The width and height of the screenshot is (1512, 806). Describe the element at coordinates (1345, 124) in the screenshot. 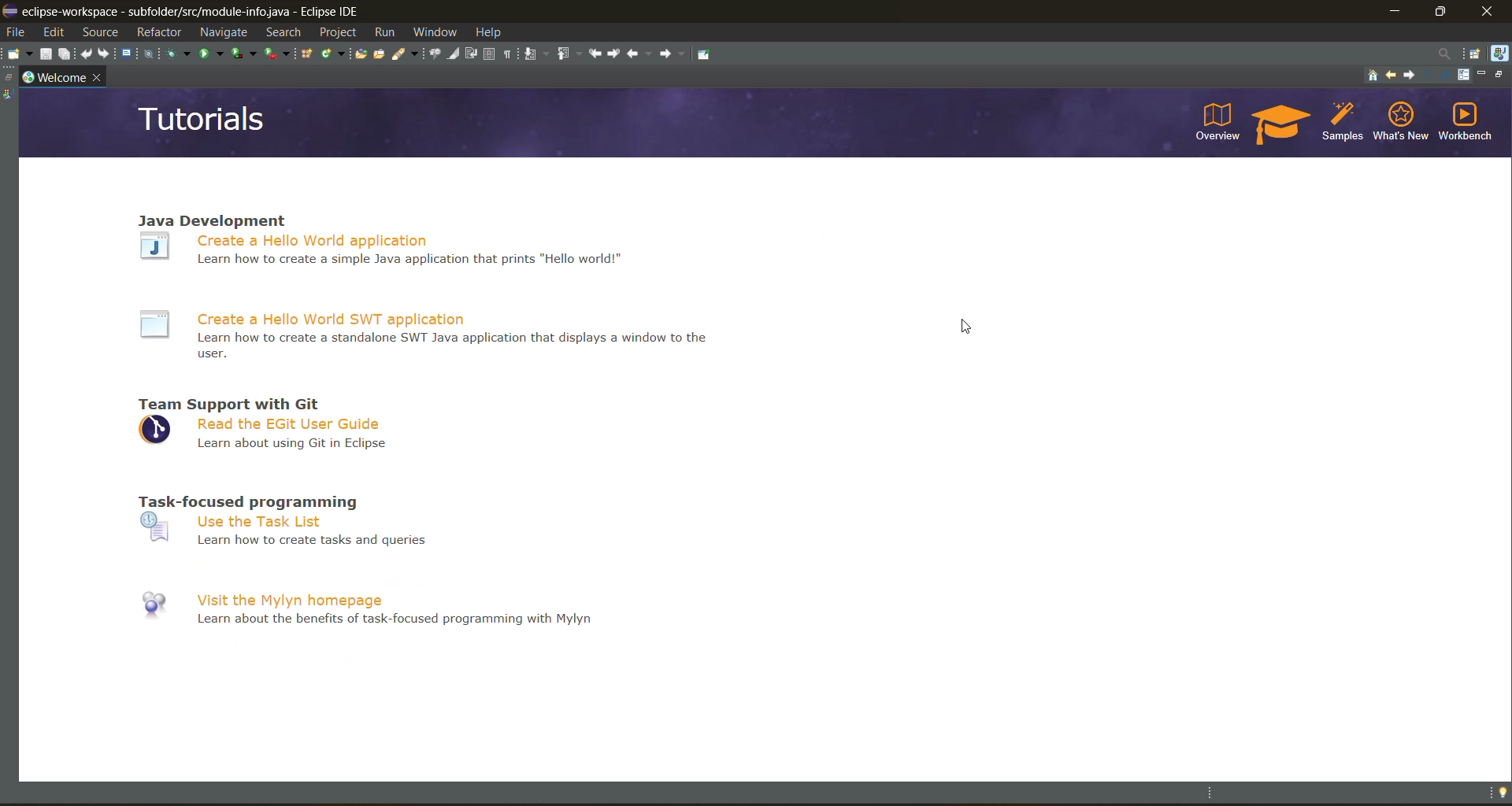

I see `samples` at that location.